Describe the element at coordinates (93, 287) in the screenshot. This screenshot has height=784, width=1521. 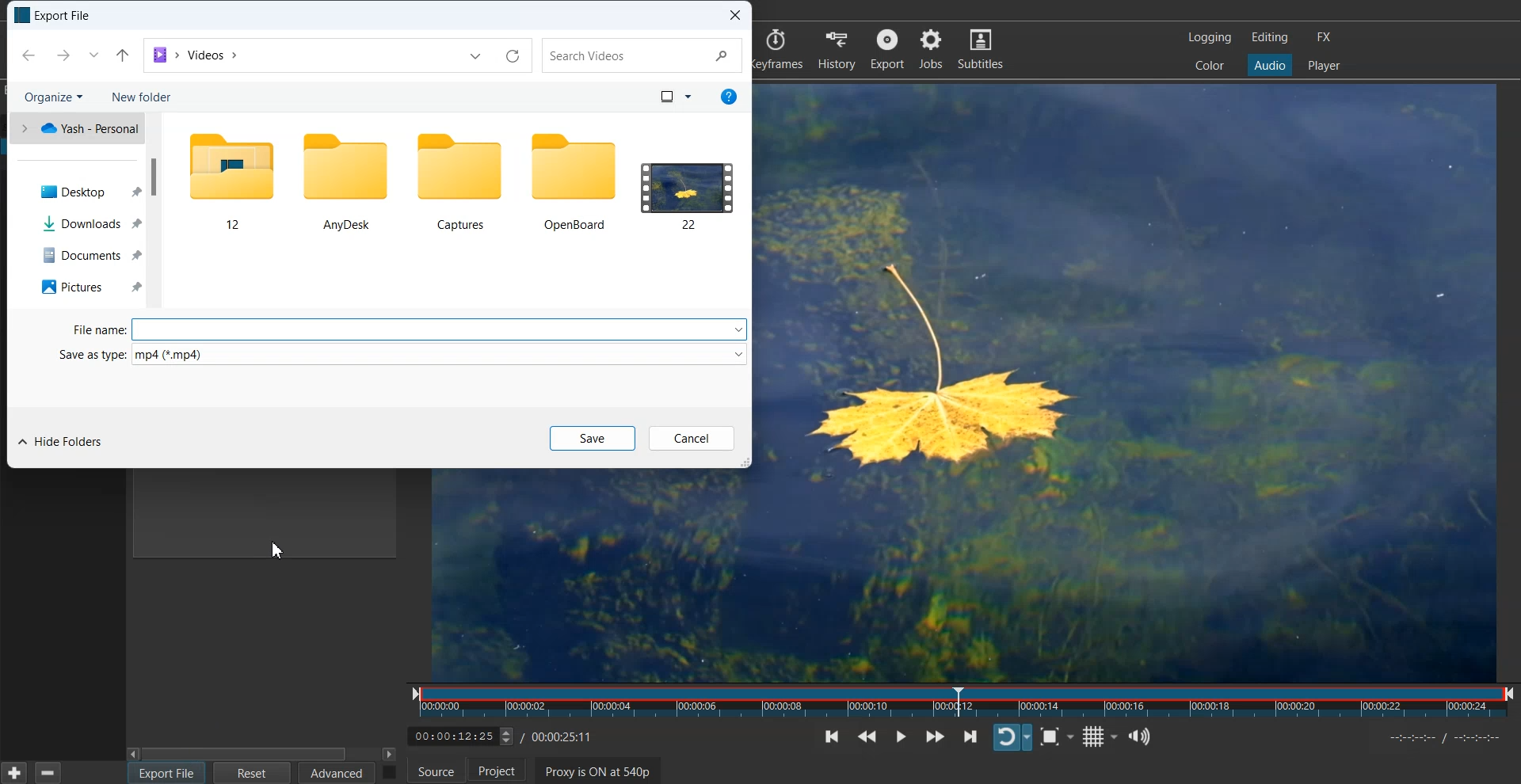
I see `Pictures` at that location.